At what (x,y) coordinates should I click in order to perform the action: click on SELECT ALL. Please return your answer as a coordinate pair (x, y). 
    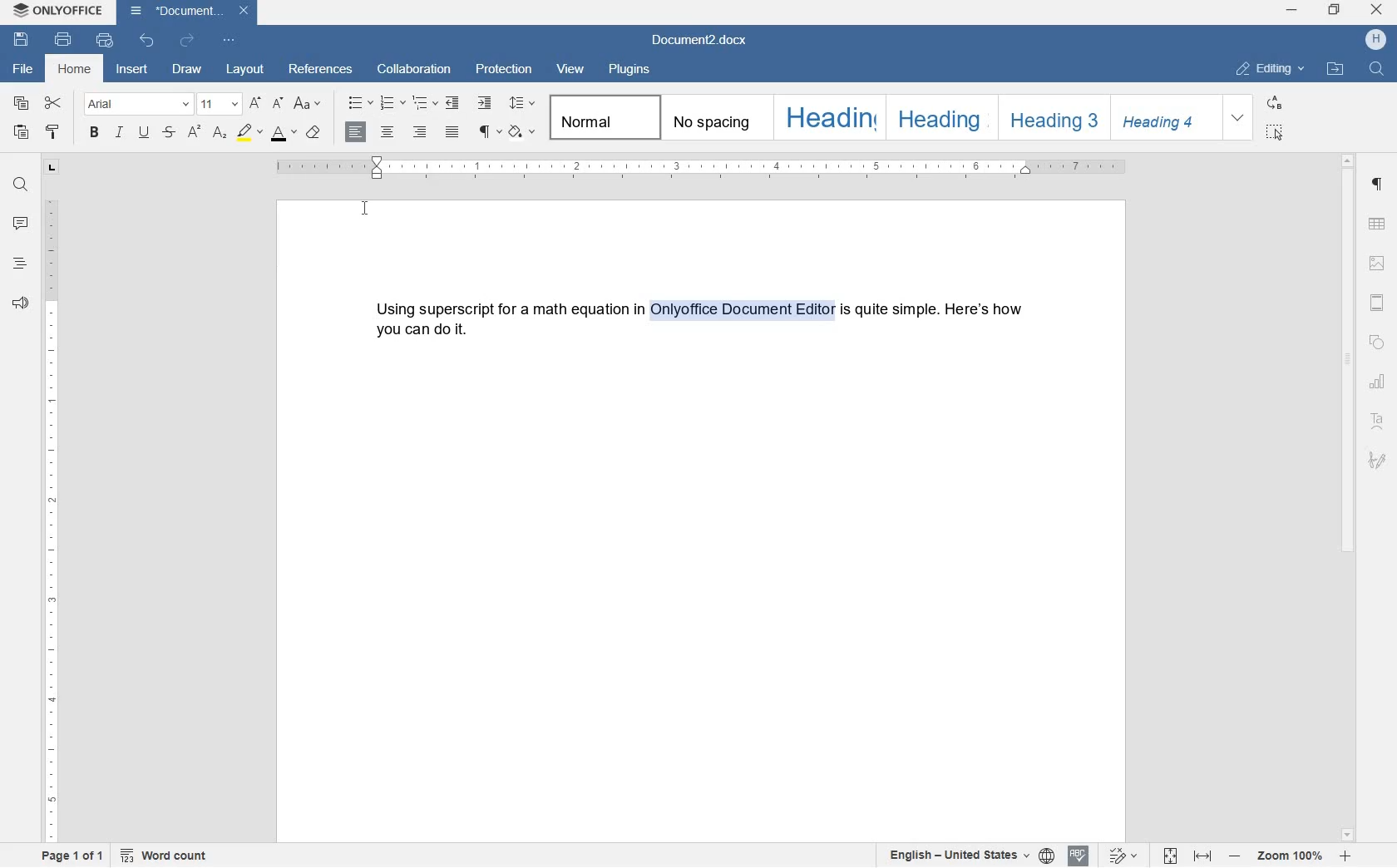
    Looking at the image, I should click on (1275, 134).